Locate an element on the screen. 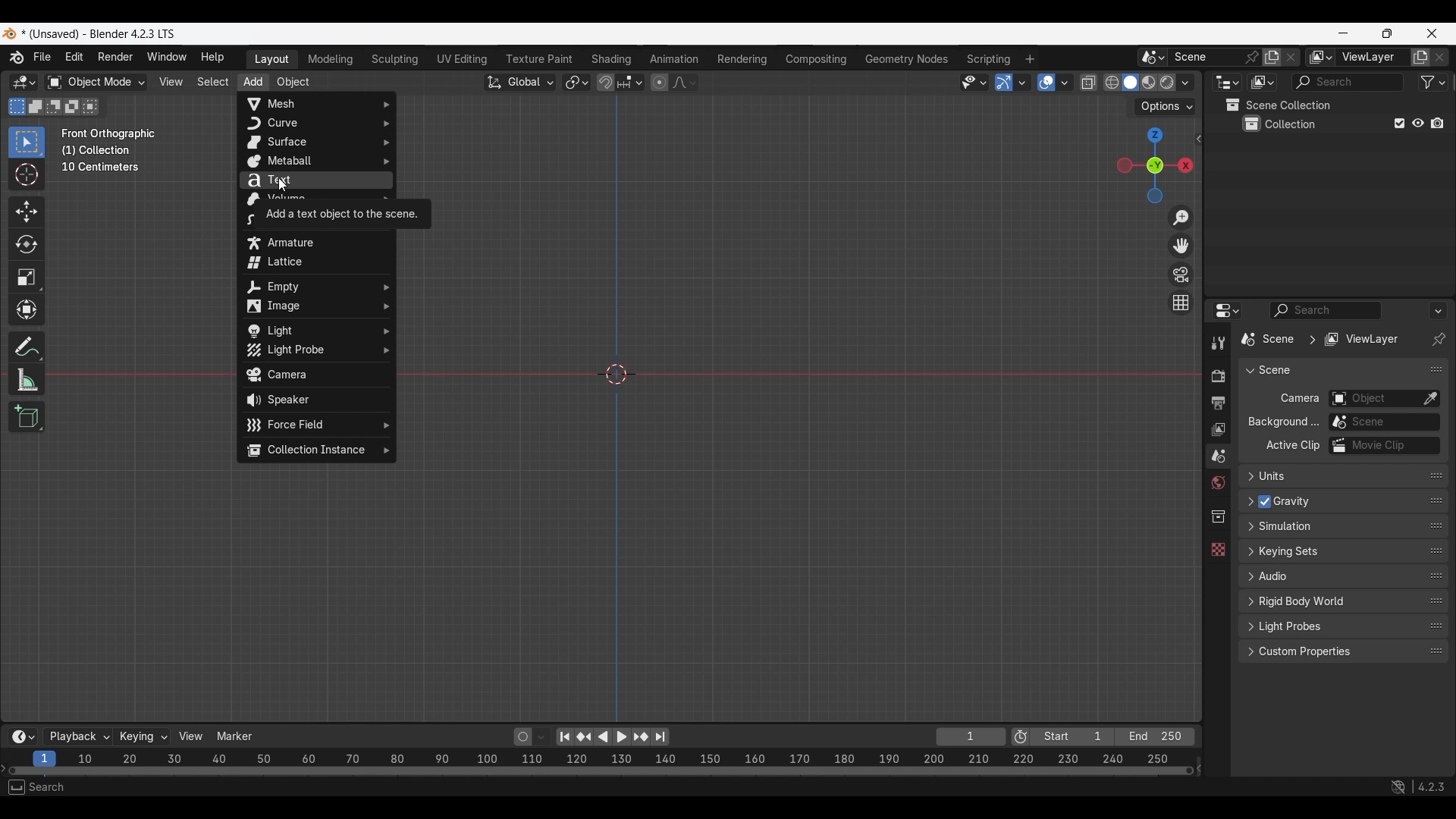 This screenshot has width=1456, height=819. Click to expand Audio is located at coordinates (1332, 576).